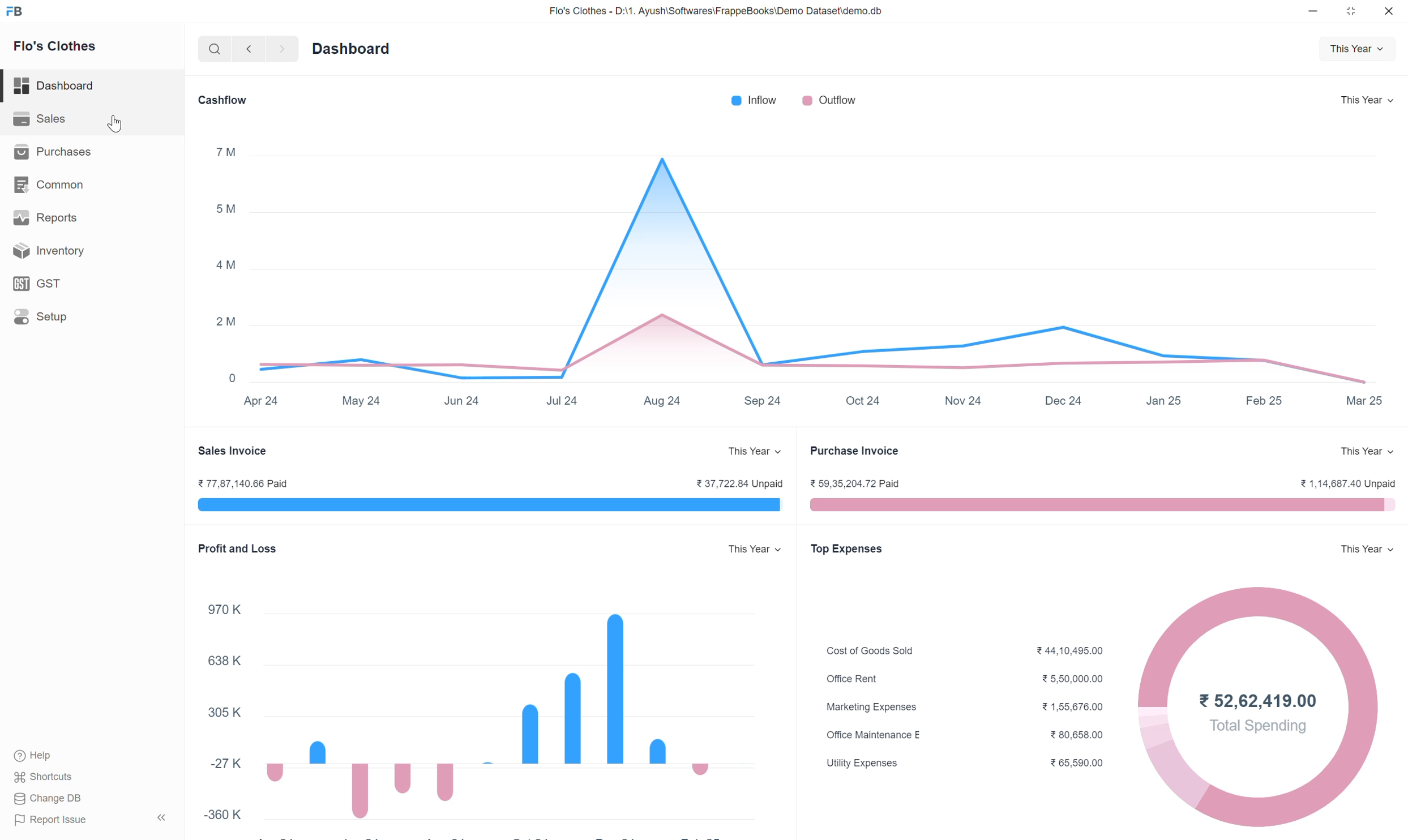 Image resolution: width=1408 pixels, height=840 pixels. Describe the element at coordinates (279, 48) in the screenshot. I see `forward` at that location.